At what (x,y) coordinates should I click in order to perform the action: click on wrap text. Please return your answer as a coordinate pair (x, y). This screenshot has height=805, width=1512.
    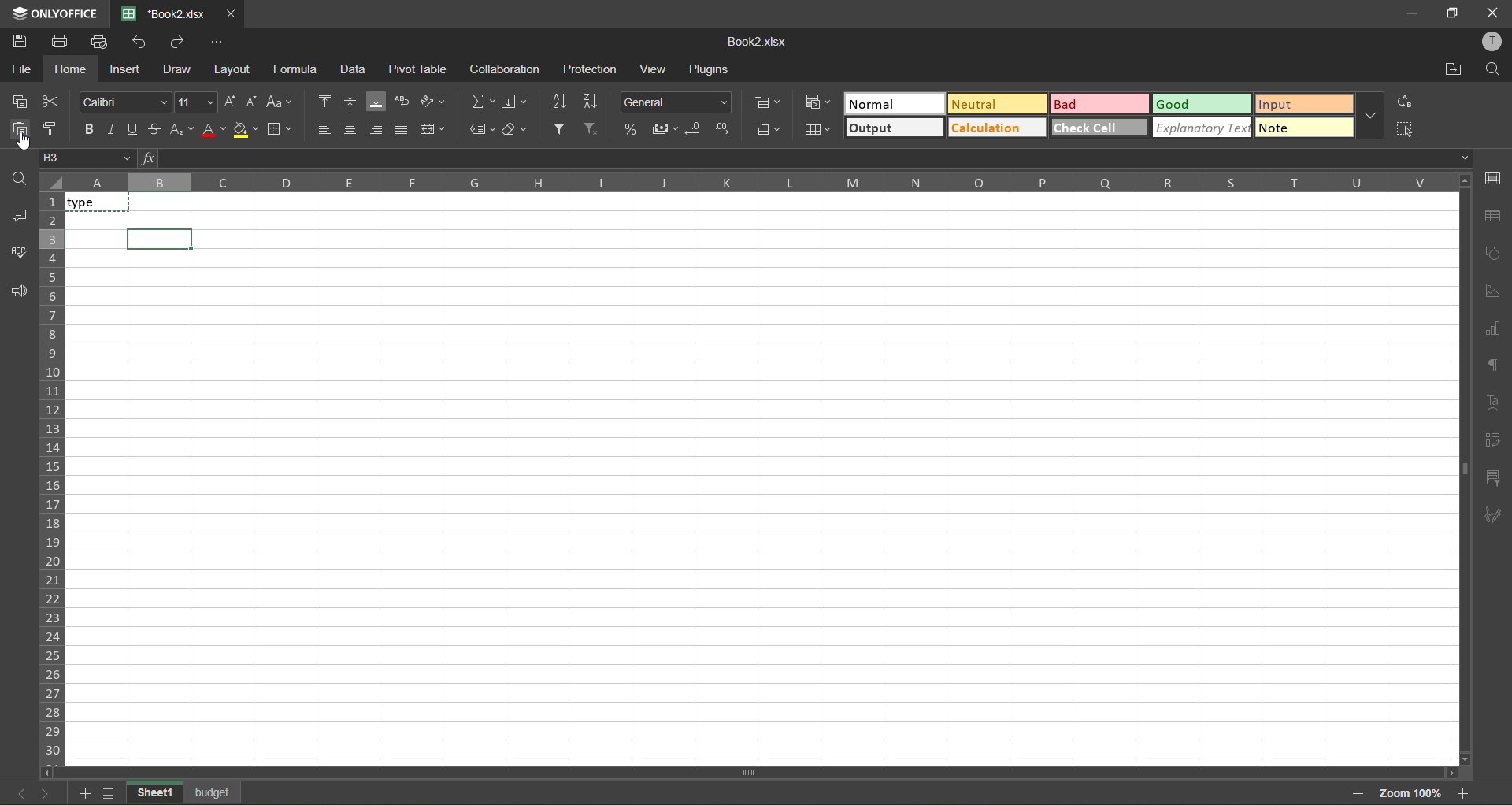
    Looking at the image, I should click on (402, 101).